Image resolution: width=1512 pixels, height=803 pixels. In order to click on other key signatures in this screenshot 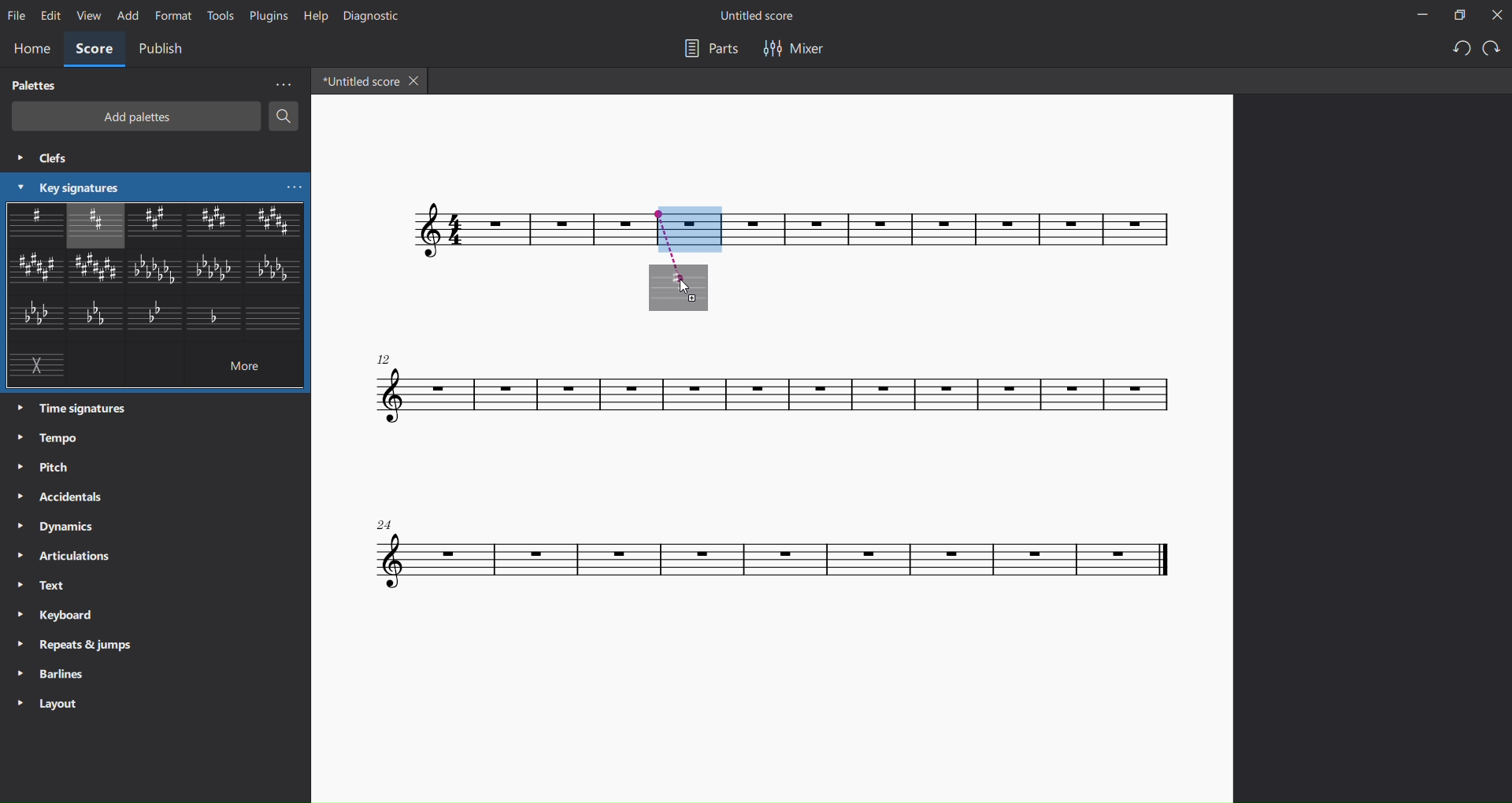, I will do `click(93, 342)`.